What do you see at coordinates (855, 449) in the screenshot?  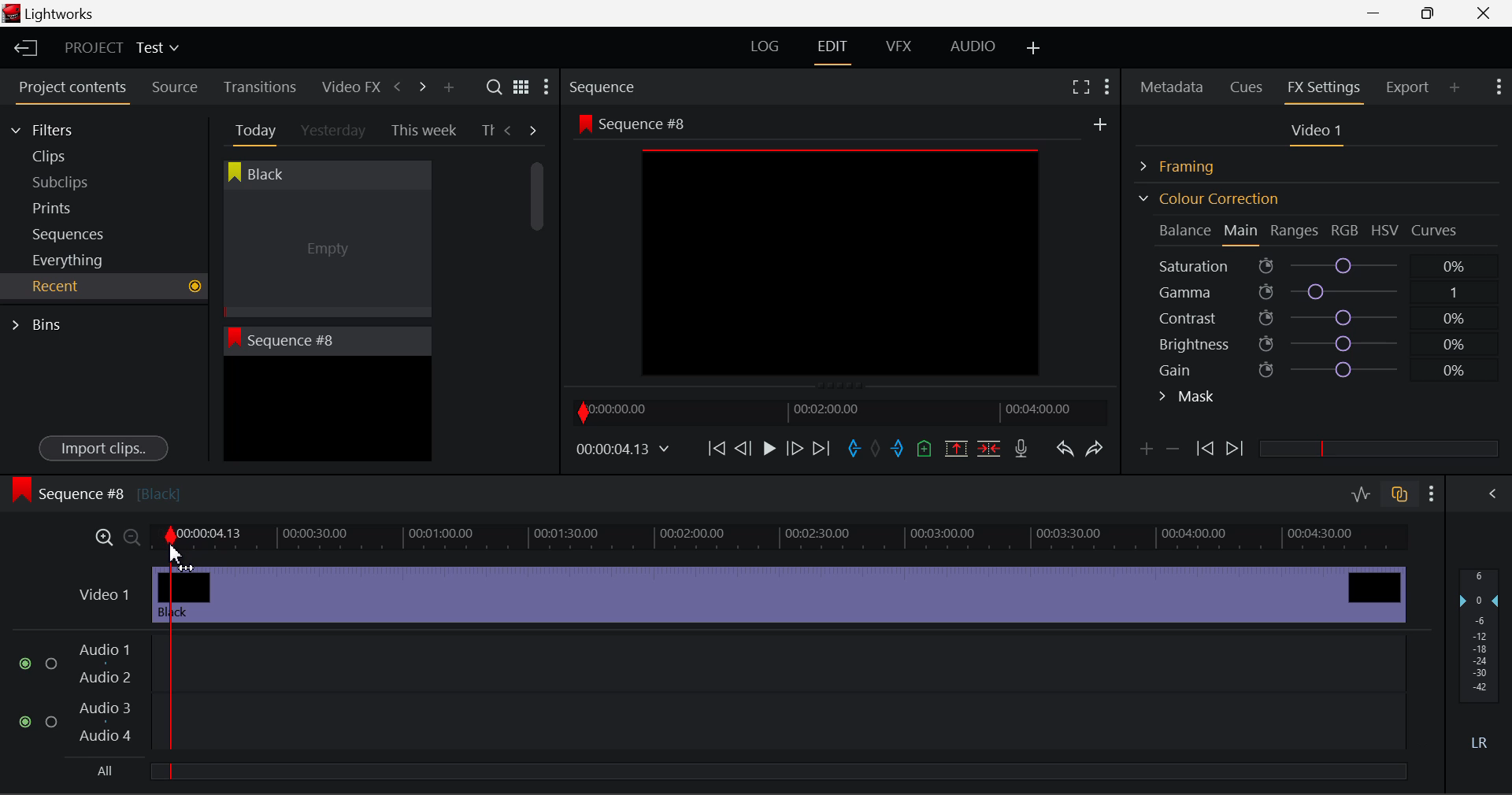 I see `Mark In` at bounding box center [855, 449].